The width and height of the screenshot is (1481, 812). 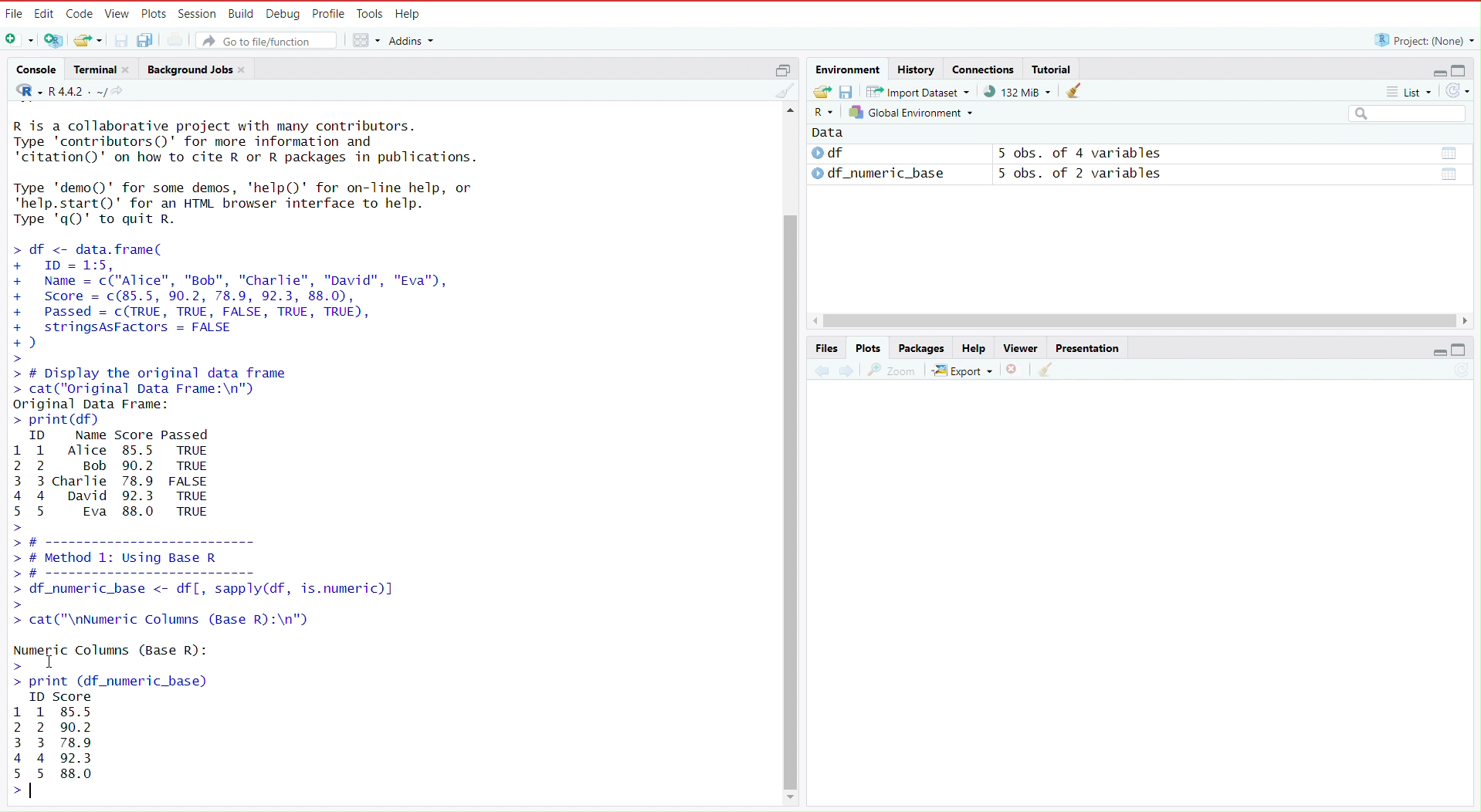 What do you see at coordinates (140, 683) in the screenshot?
I see `> print (df_numeric_base)` at bounding box center [140, 683].